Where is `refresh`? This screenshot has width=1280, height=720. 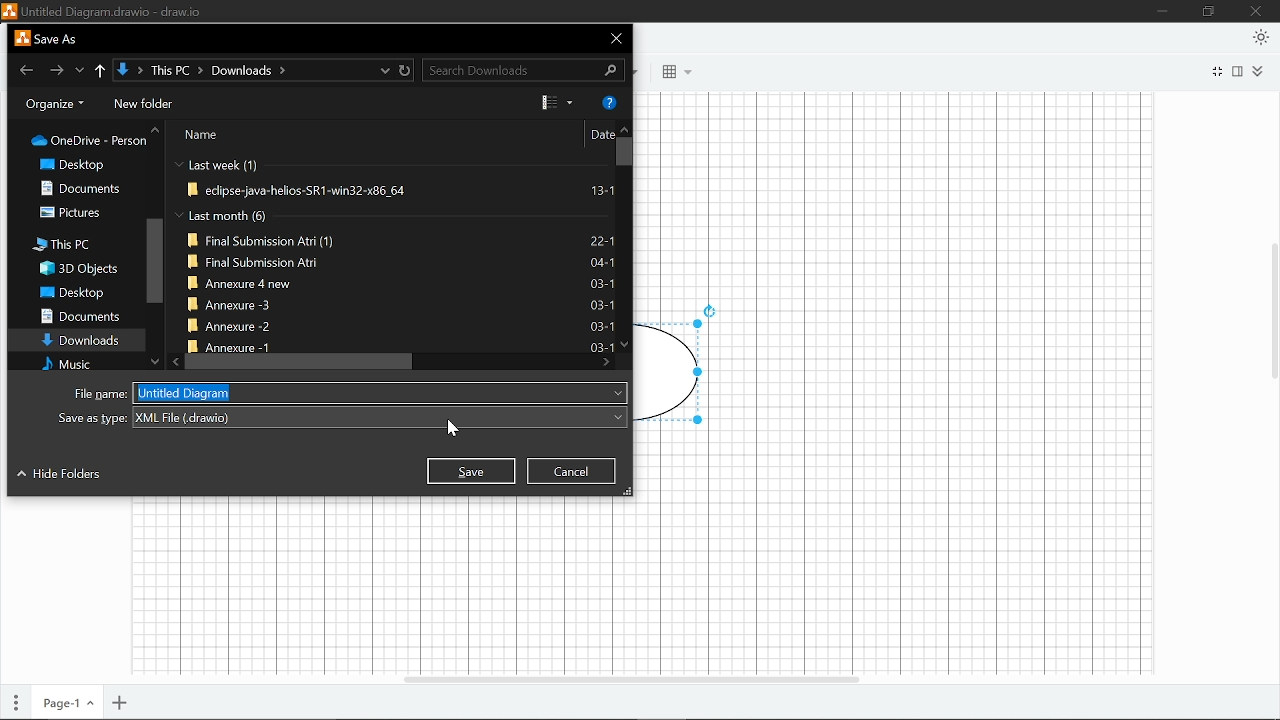
refresh is located at coordinates (406, 70).